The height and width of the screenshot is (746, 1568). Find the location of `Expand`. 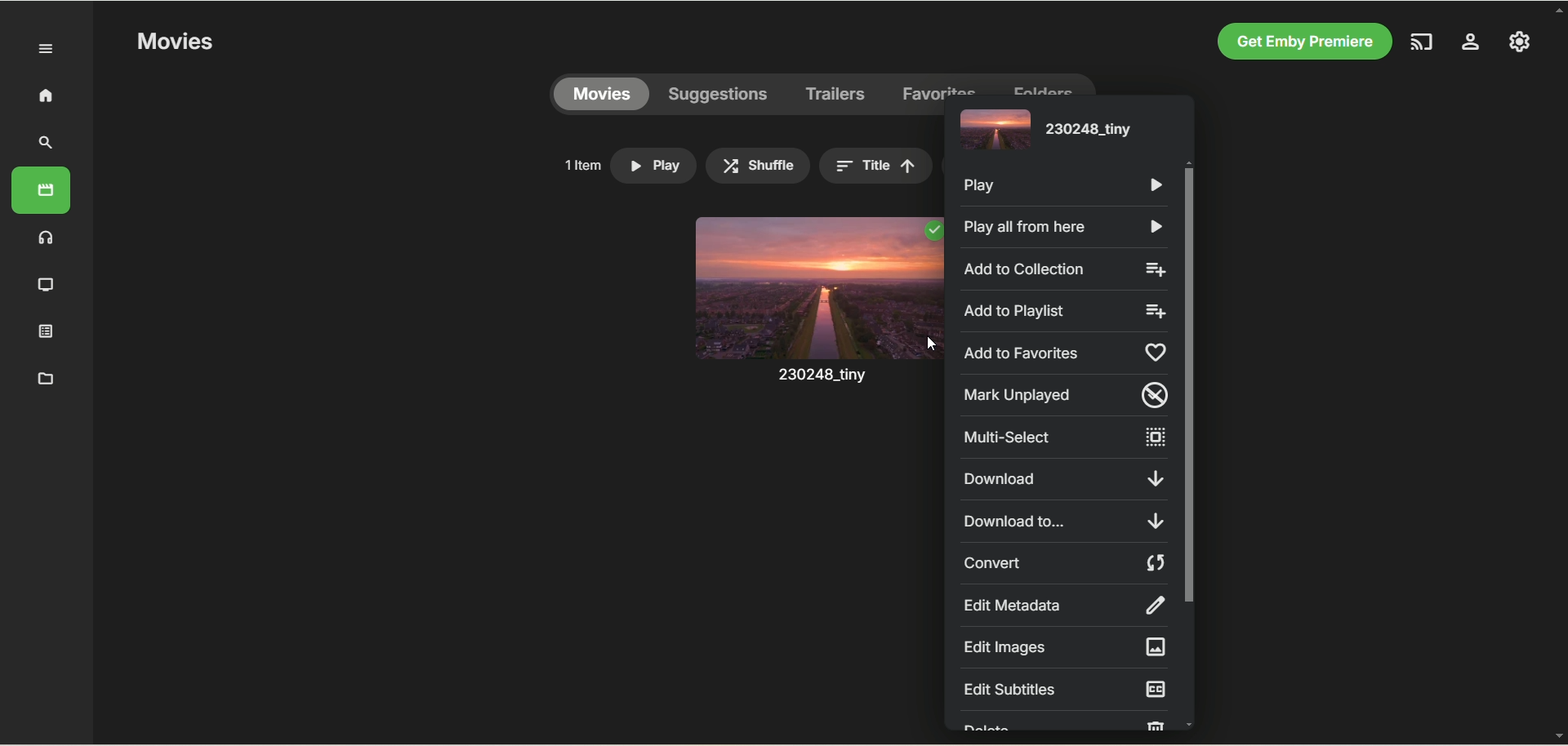

Expand is located at coordinates (47, 50).